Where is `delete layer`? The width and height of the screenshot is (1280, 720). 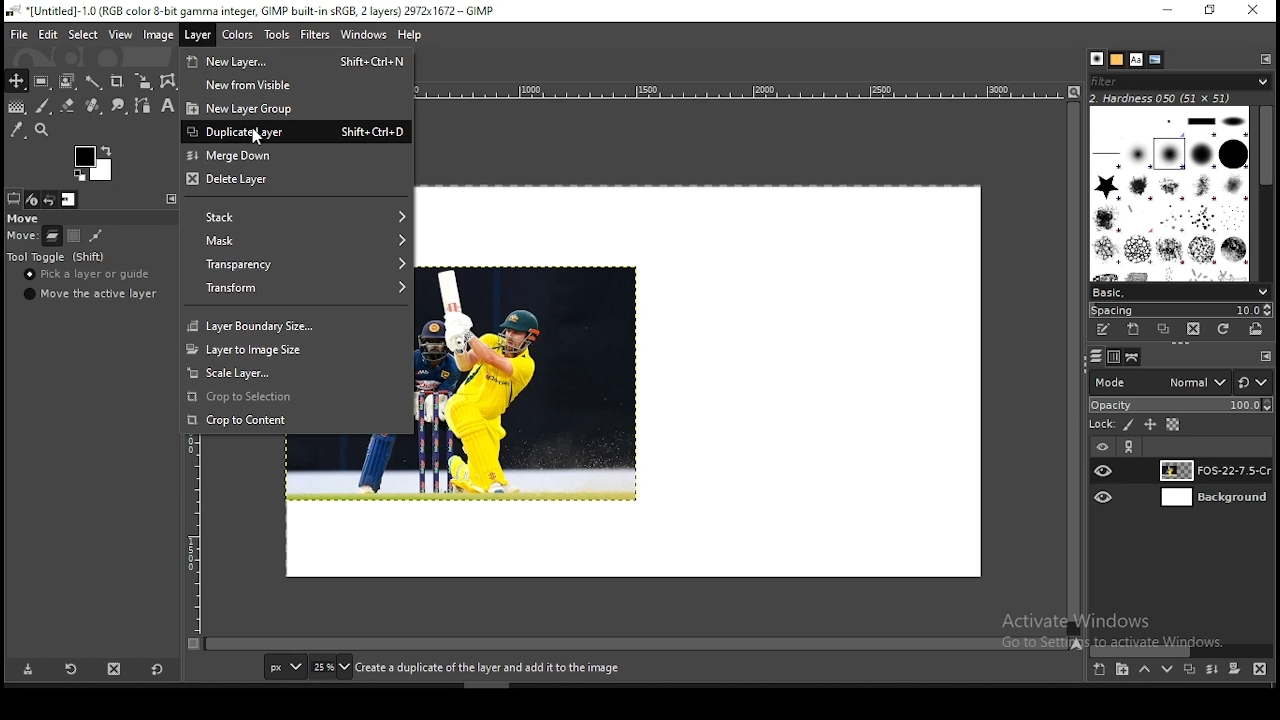
delete layer is located at coordinates (1260, 669).